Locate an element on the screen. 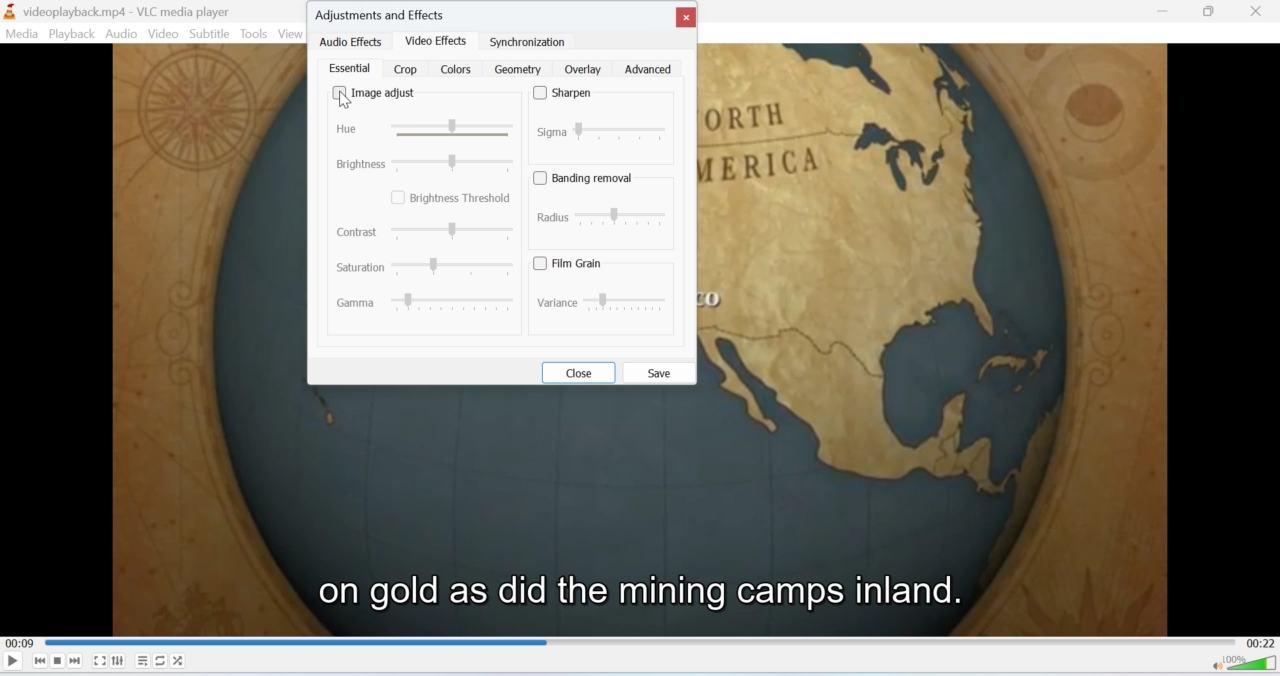 The width and height of the screenshot is (1280, 676). save  is located at coordinates (661, 372).